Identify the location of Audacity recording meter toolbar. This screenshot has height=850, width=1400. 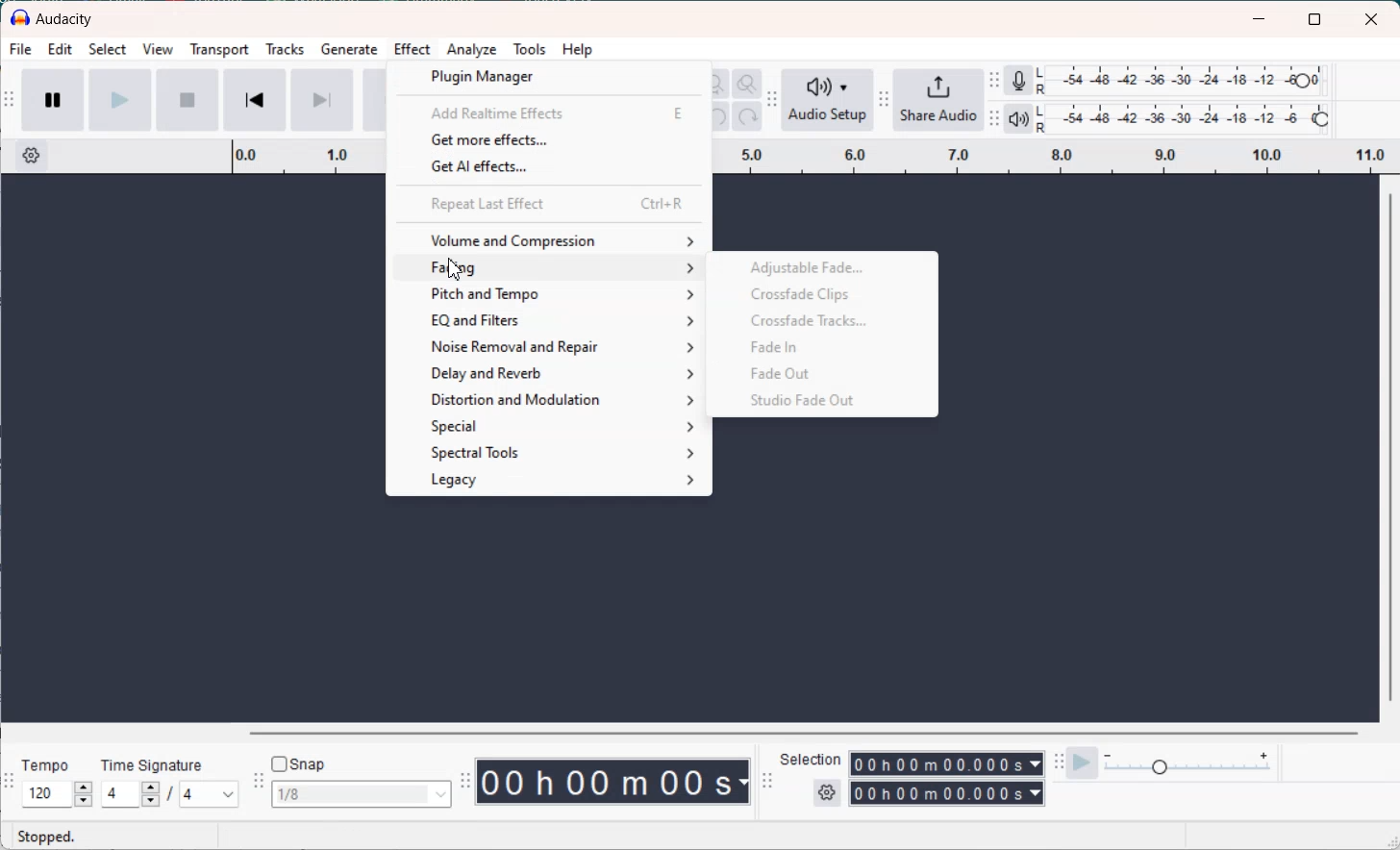
(994, 81).